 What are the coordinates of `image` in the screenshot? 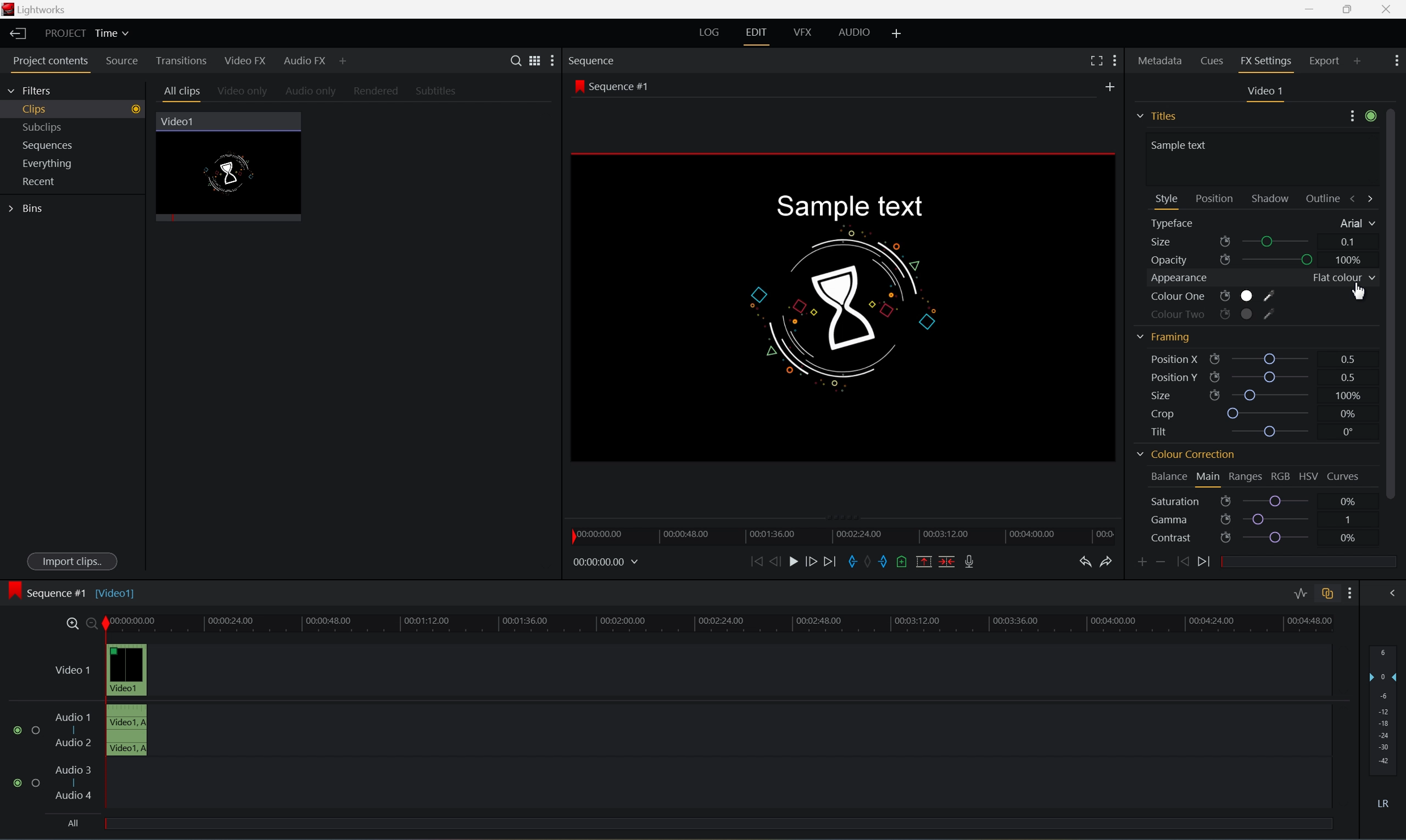 It's located at (847, 307).